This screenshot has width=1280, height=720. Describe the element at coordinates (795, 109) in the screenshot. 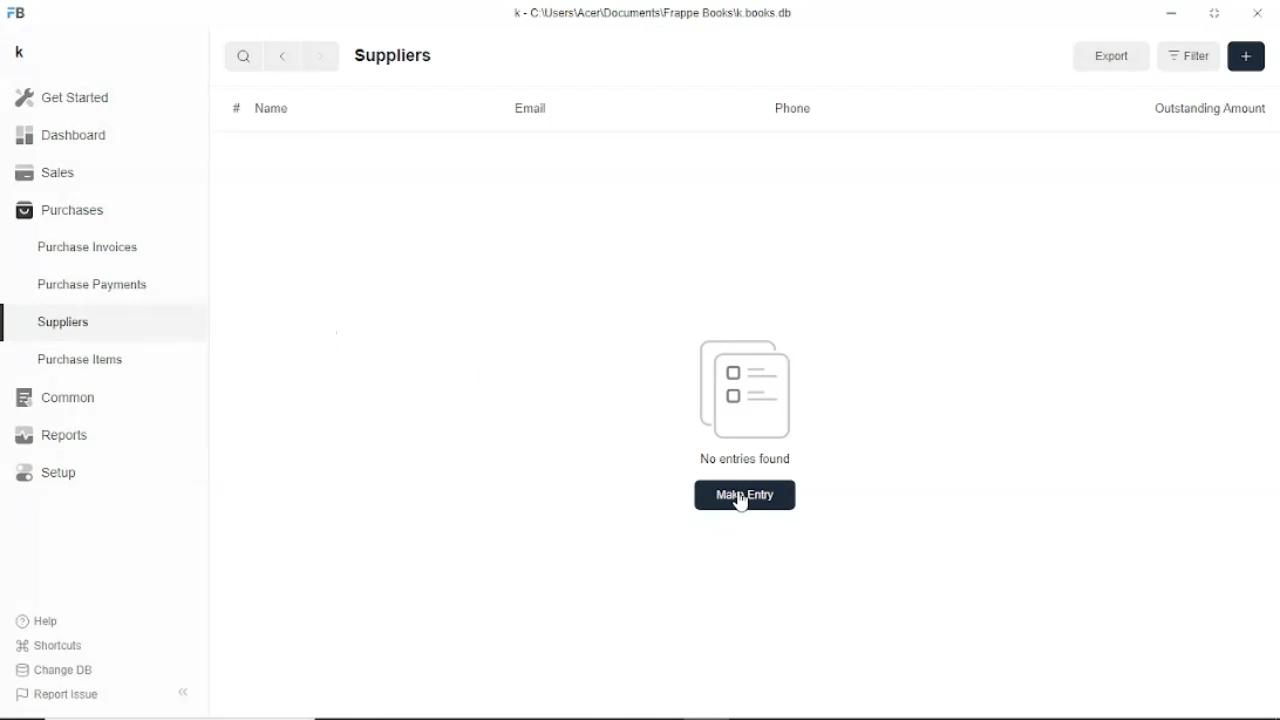

I see `Phone` at that location.